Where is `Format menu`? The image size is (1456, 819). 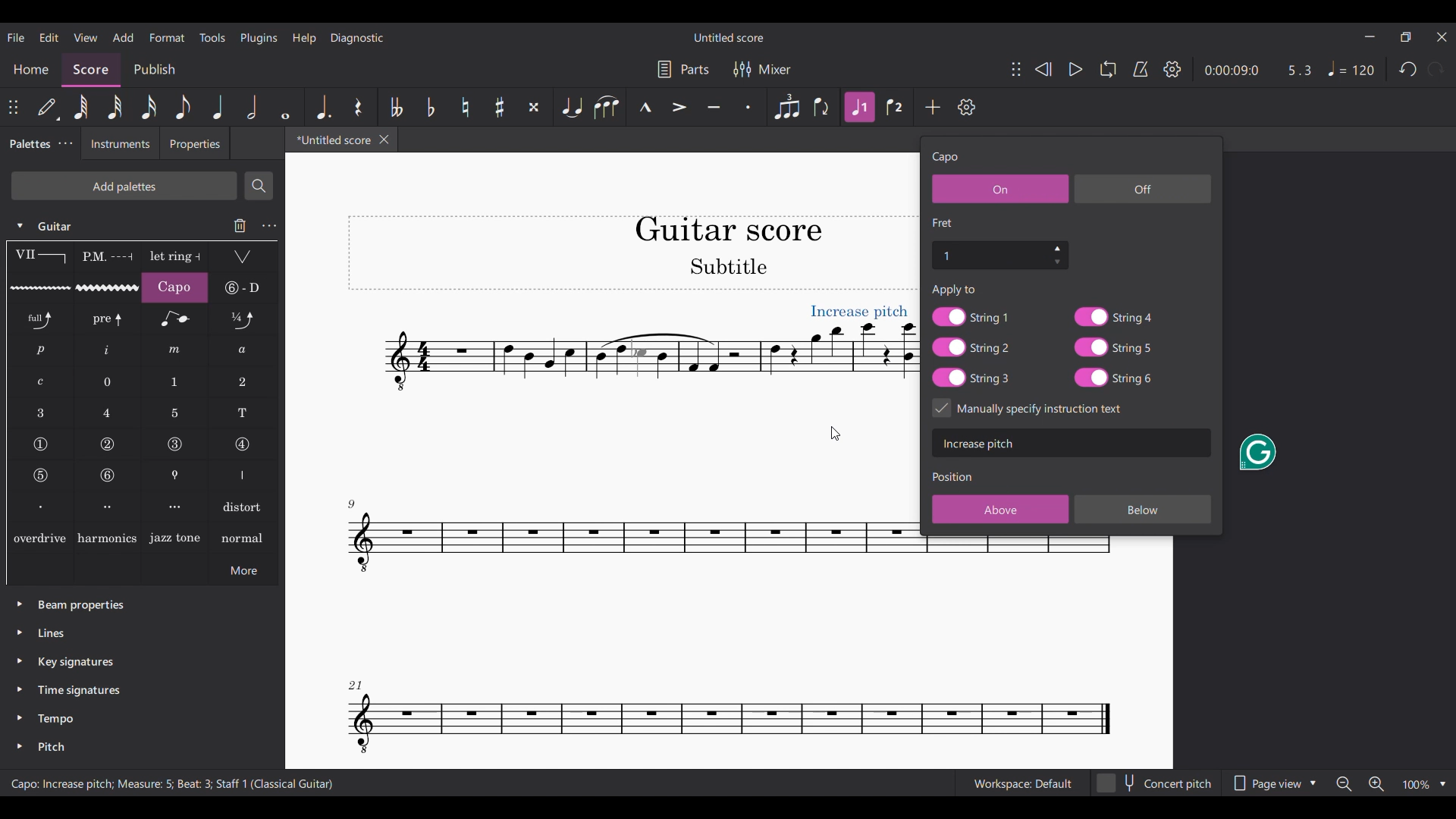
Format menu is located at coordinates (167, 37).